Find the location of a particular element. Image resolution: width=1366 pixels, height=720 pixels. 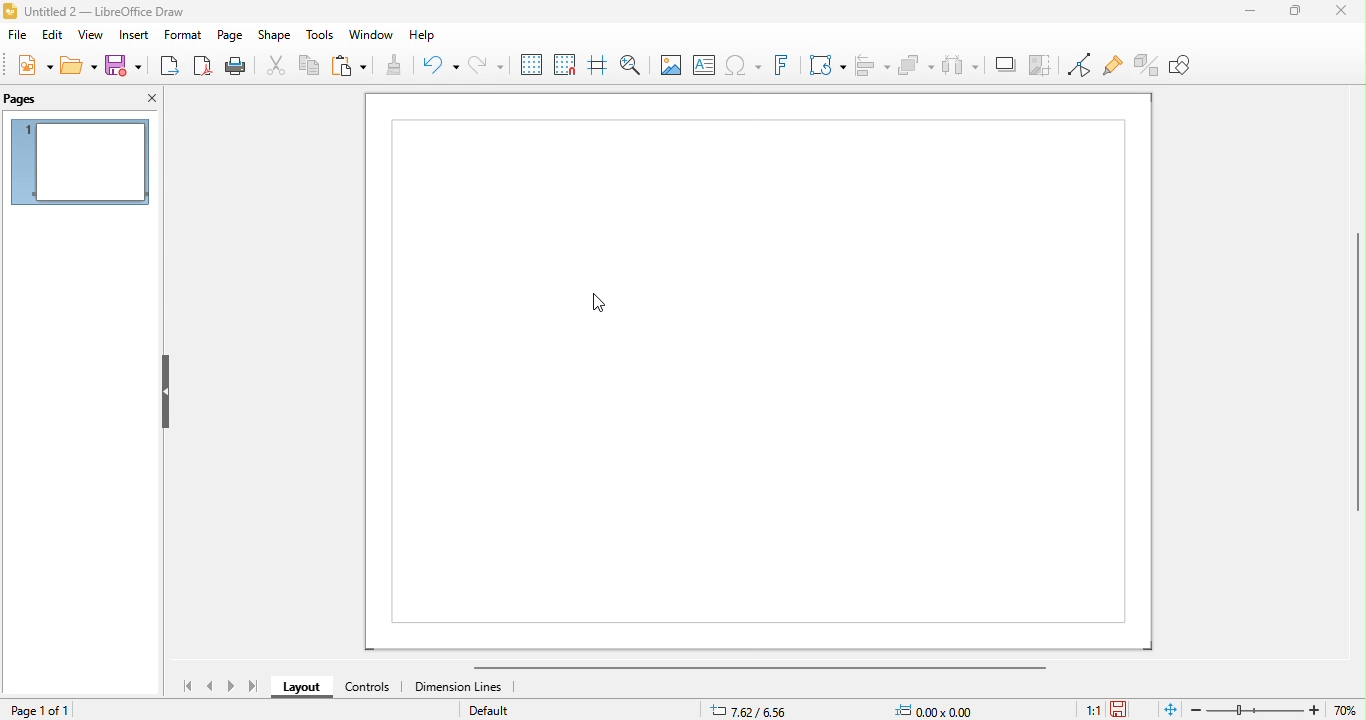

export as pdf is located at coordinates (204, 66).